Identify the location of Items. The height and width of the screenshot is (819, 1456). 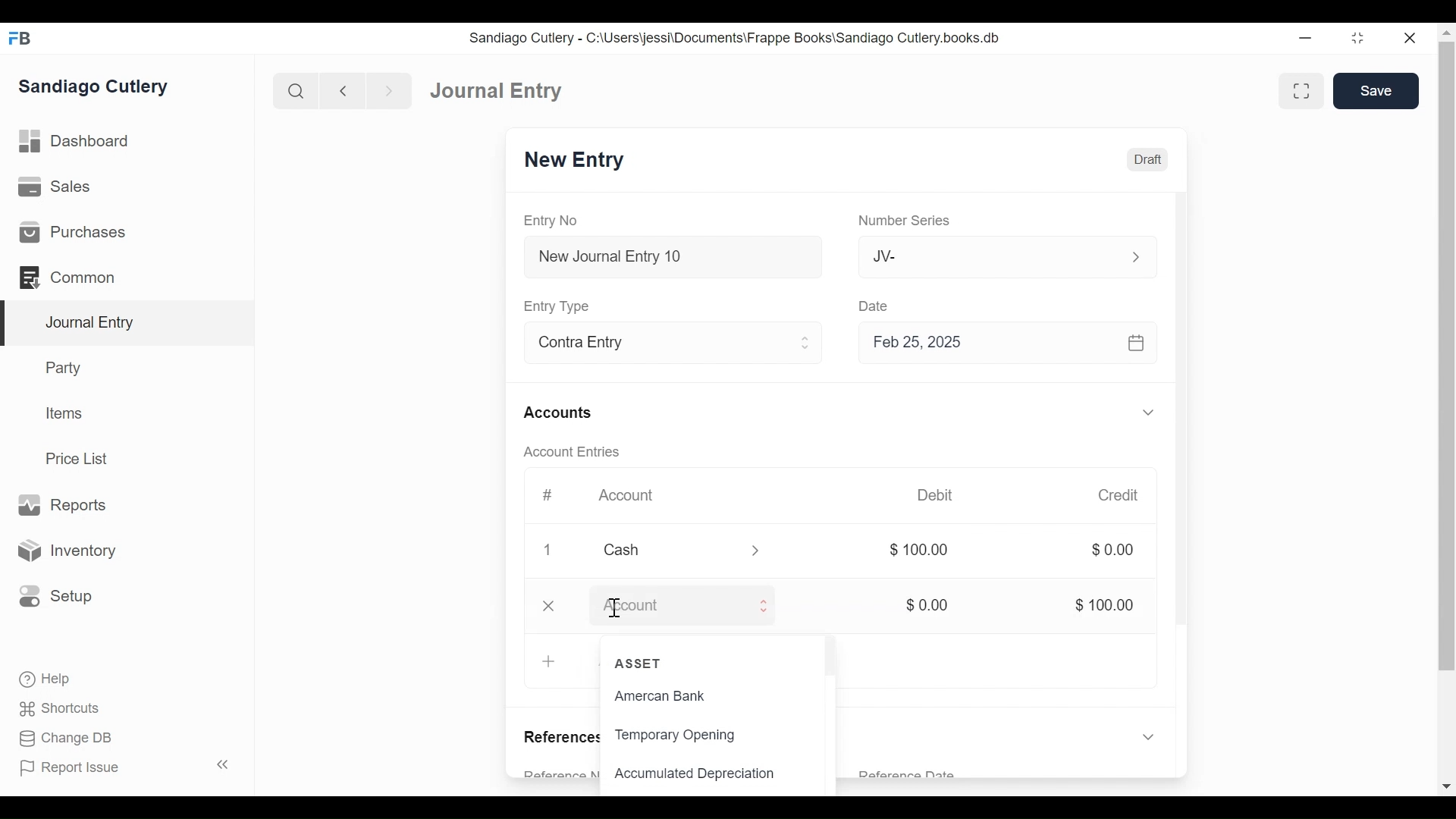
(66, 415).